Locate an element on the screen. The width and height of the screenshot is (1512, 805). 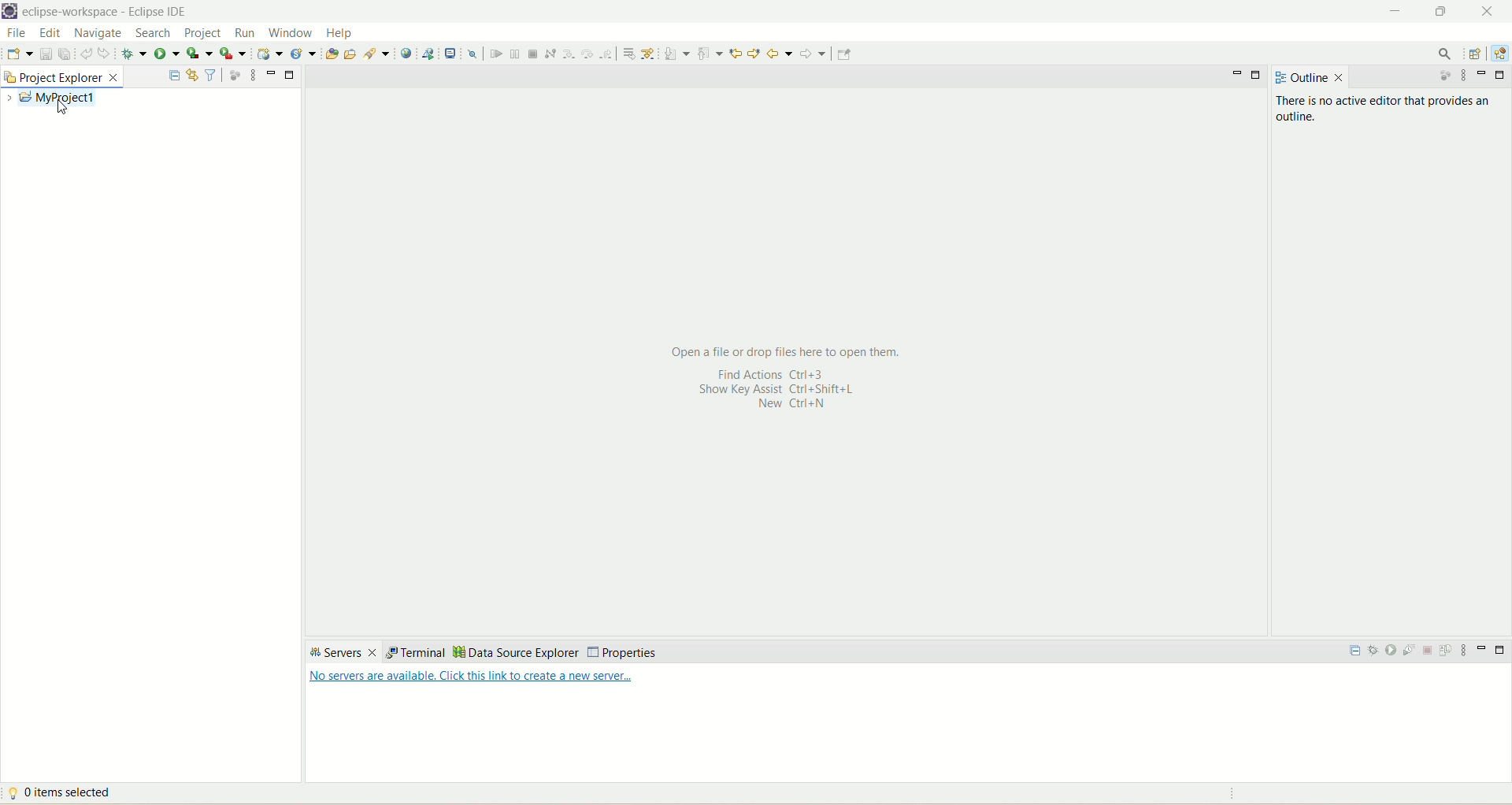
item selected is located at coordinates (62, 792).